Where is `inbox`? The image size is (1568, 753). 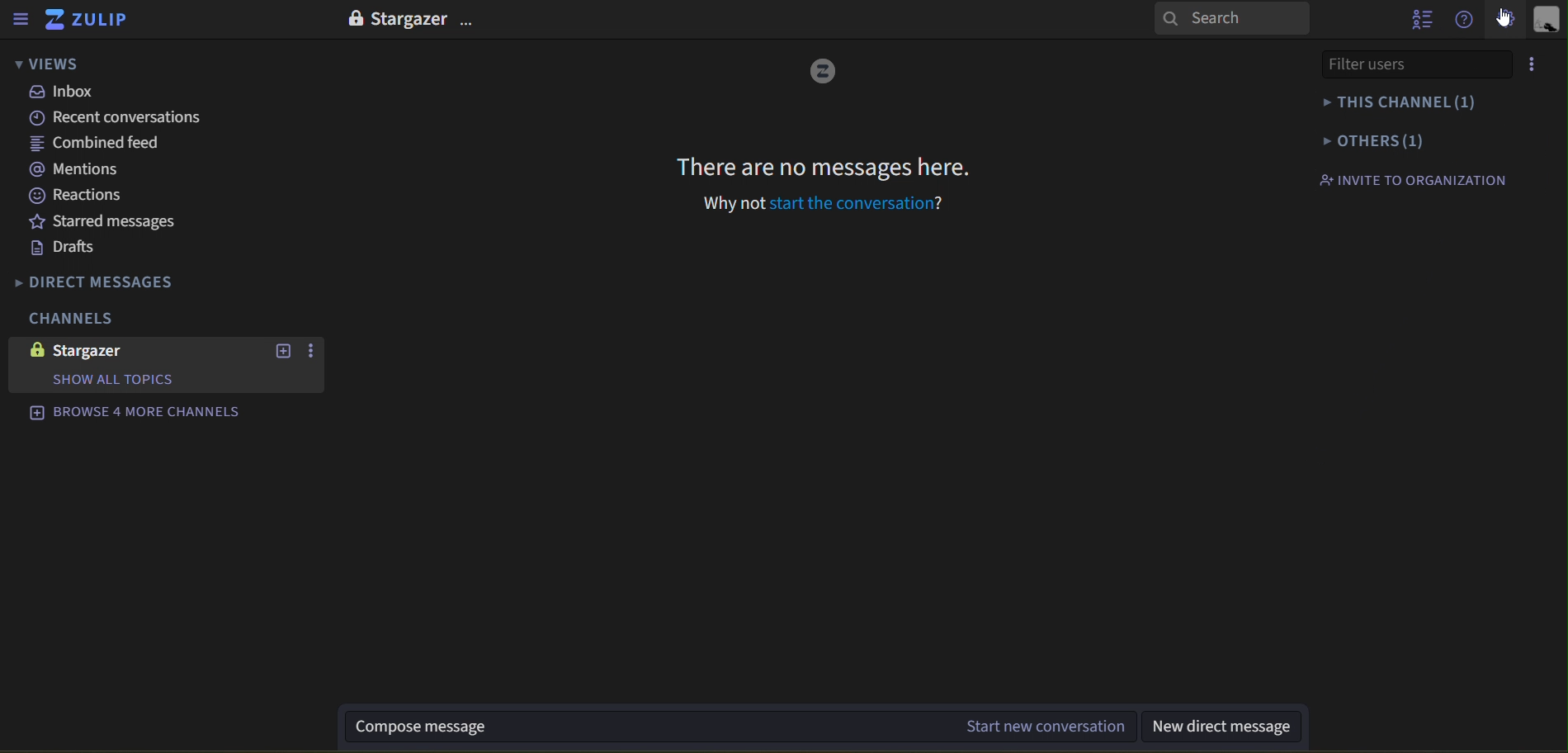 inbox is located at coordinates (61, 92).